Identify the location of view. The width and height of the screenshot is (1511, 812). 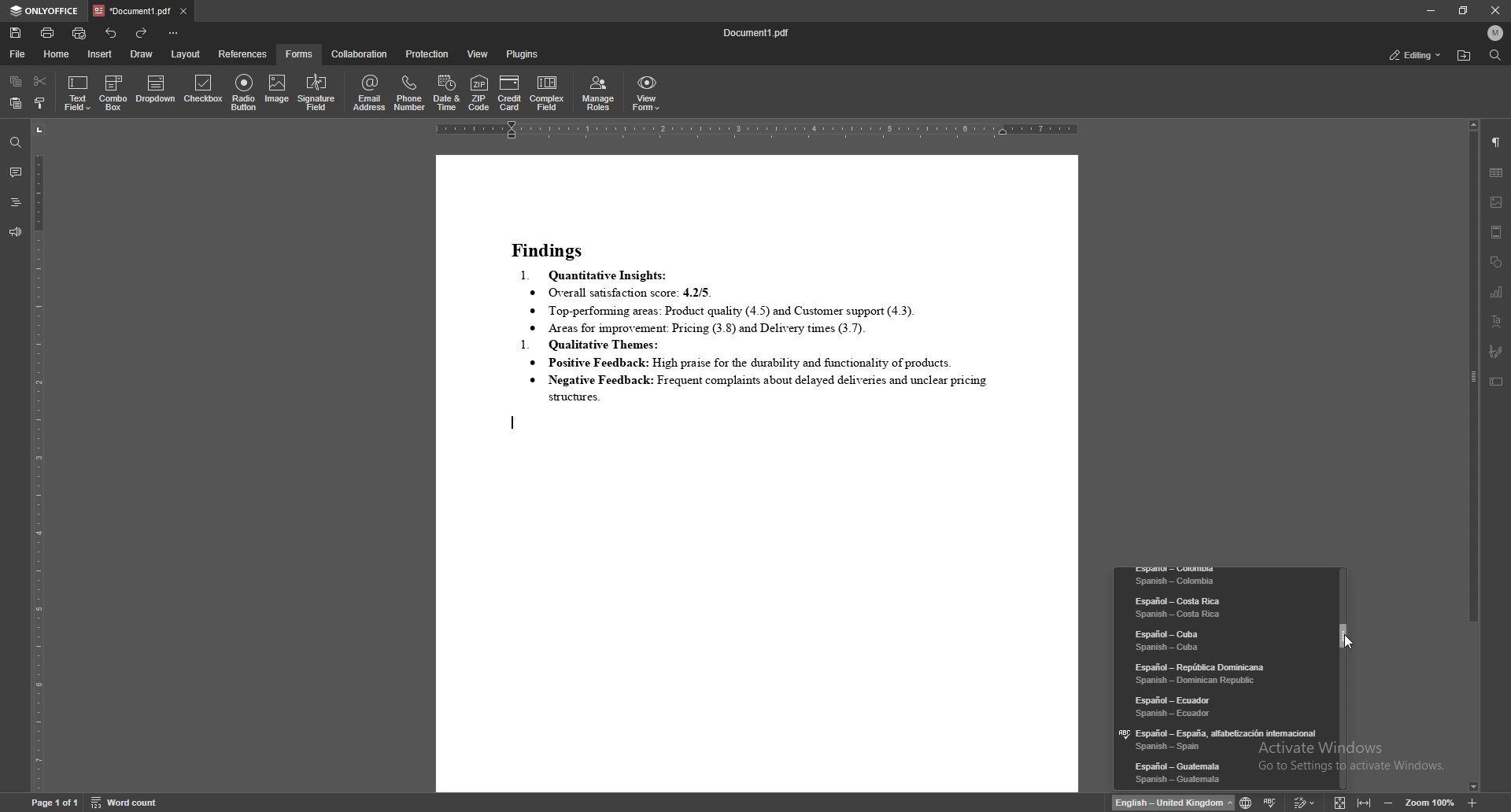
(478, 54).